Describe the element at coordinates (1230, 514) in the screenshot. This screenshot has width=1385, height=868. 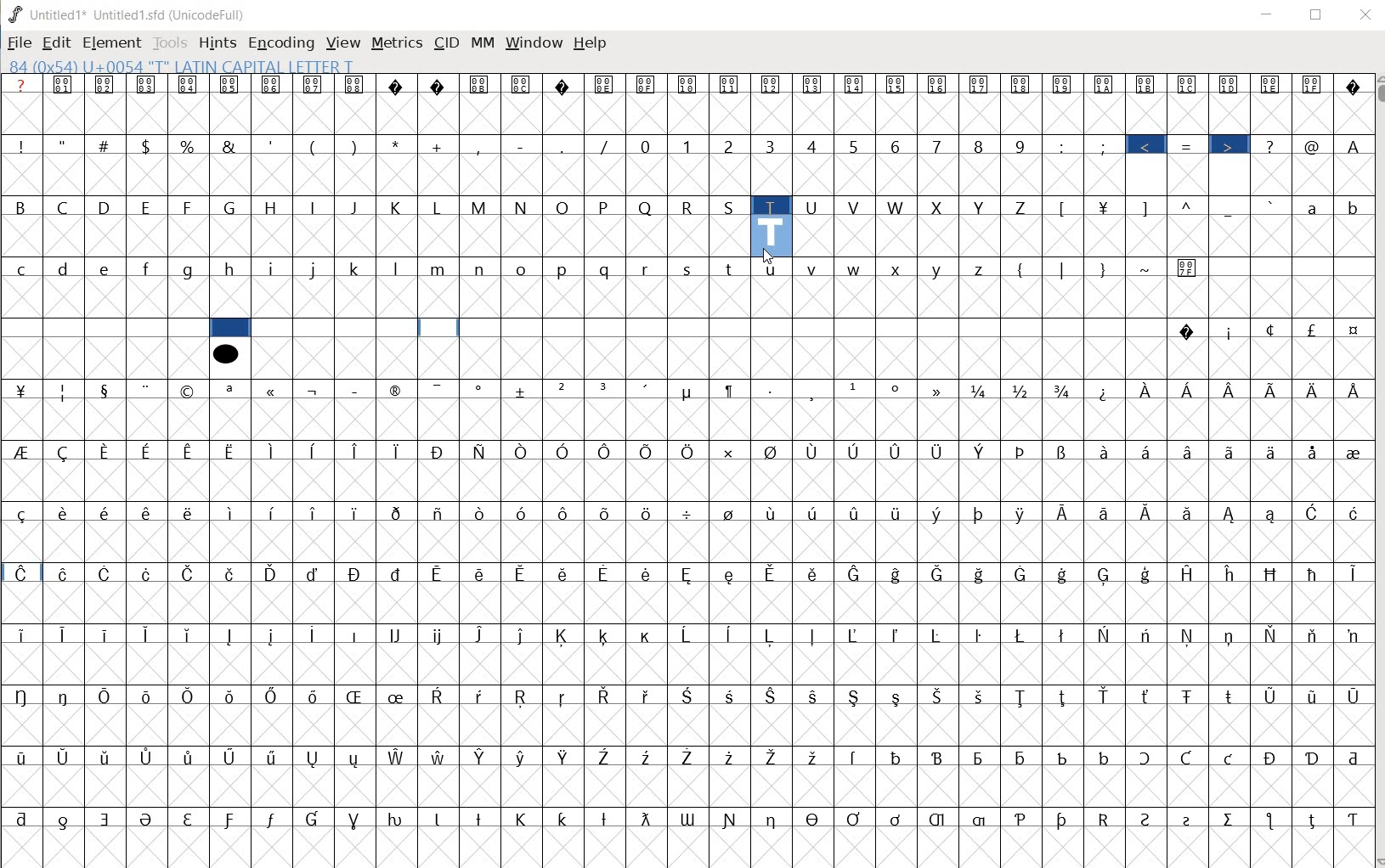
I see `Symbol` at that location.